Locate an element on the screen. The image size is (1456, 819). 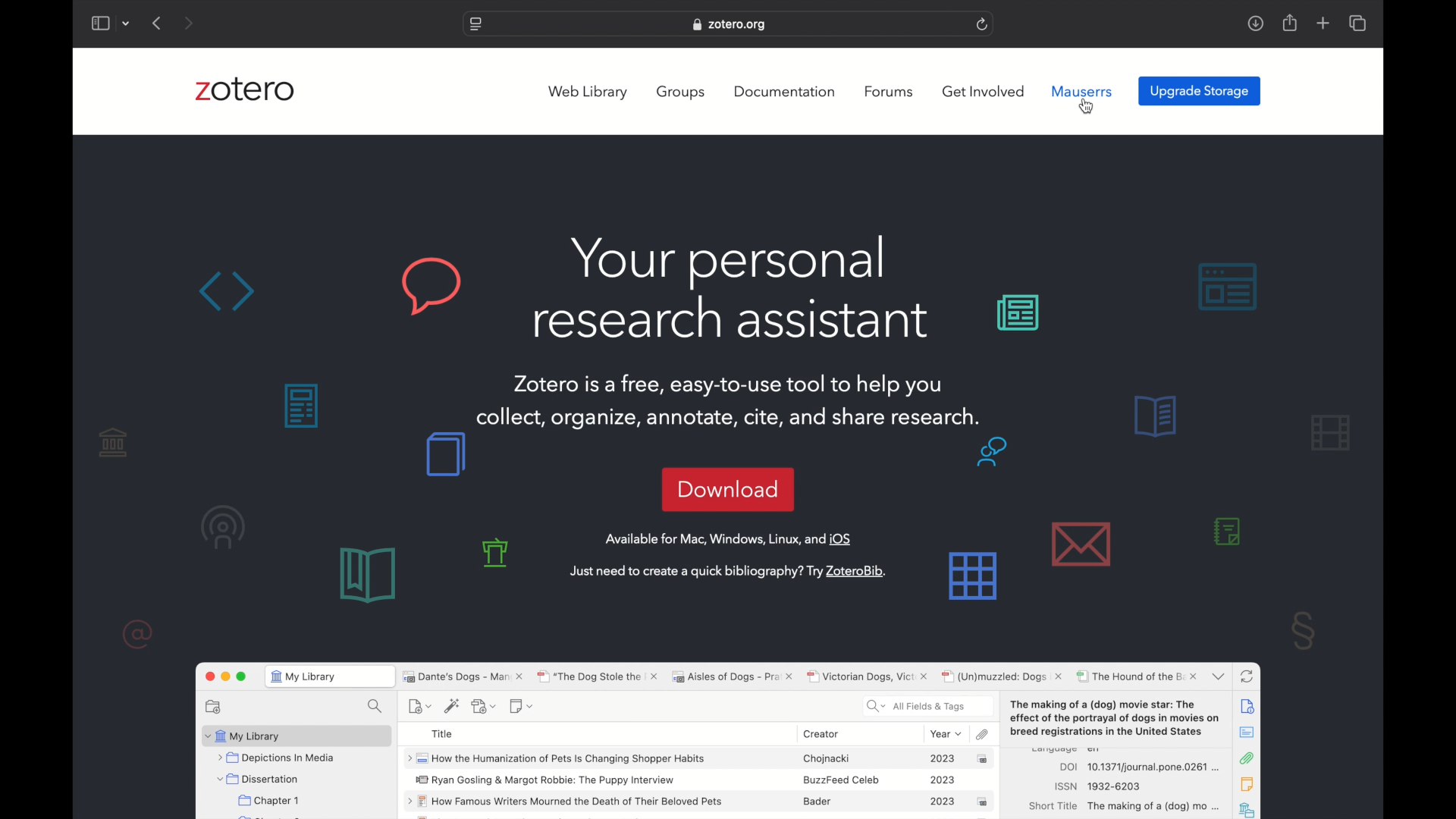
mauserrs is located at coordinates (1081, 92).